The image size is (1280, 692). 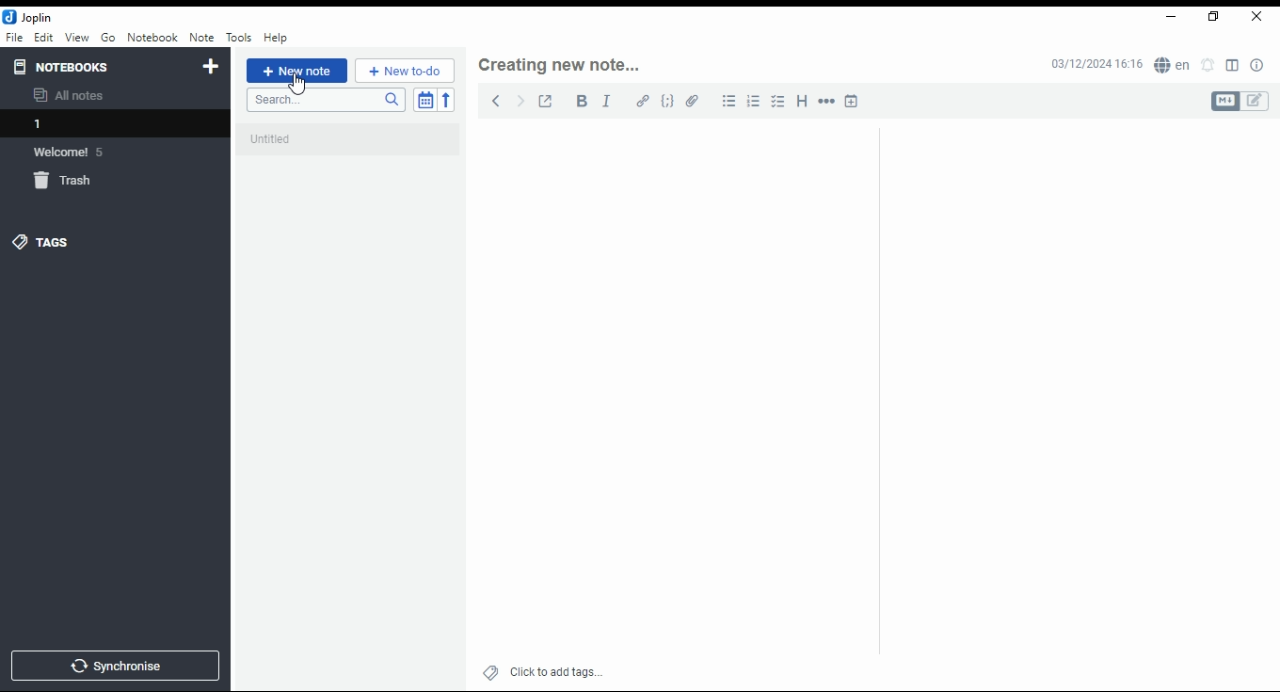 I want to click on spell checker, so click(x=1174, y=64).